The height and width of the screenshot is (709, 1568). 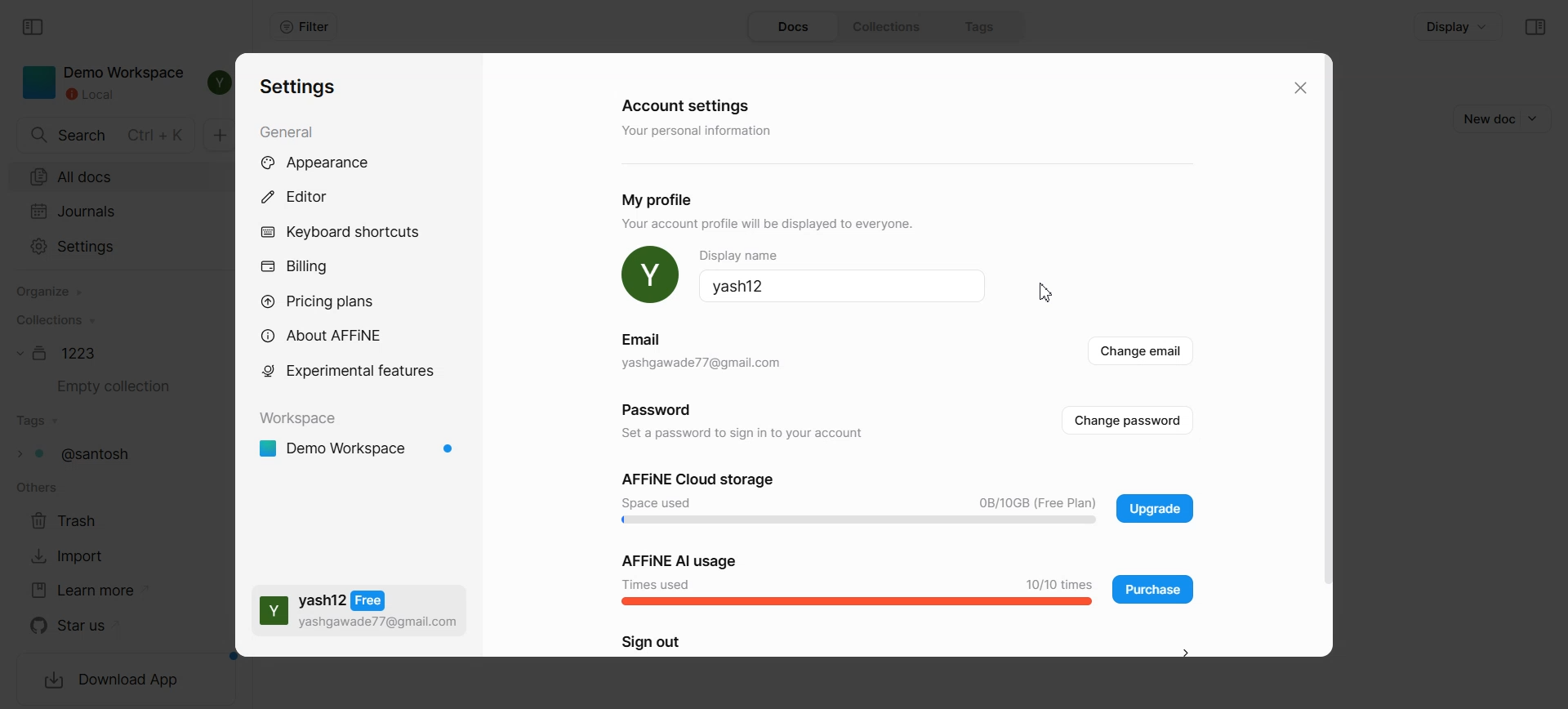 What do you see at coordinates (109, 386) in the screenshot?
I see `Empty collection` at bounding box center [109, 386].